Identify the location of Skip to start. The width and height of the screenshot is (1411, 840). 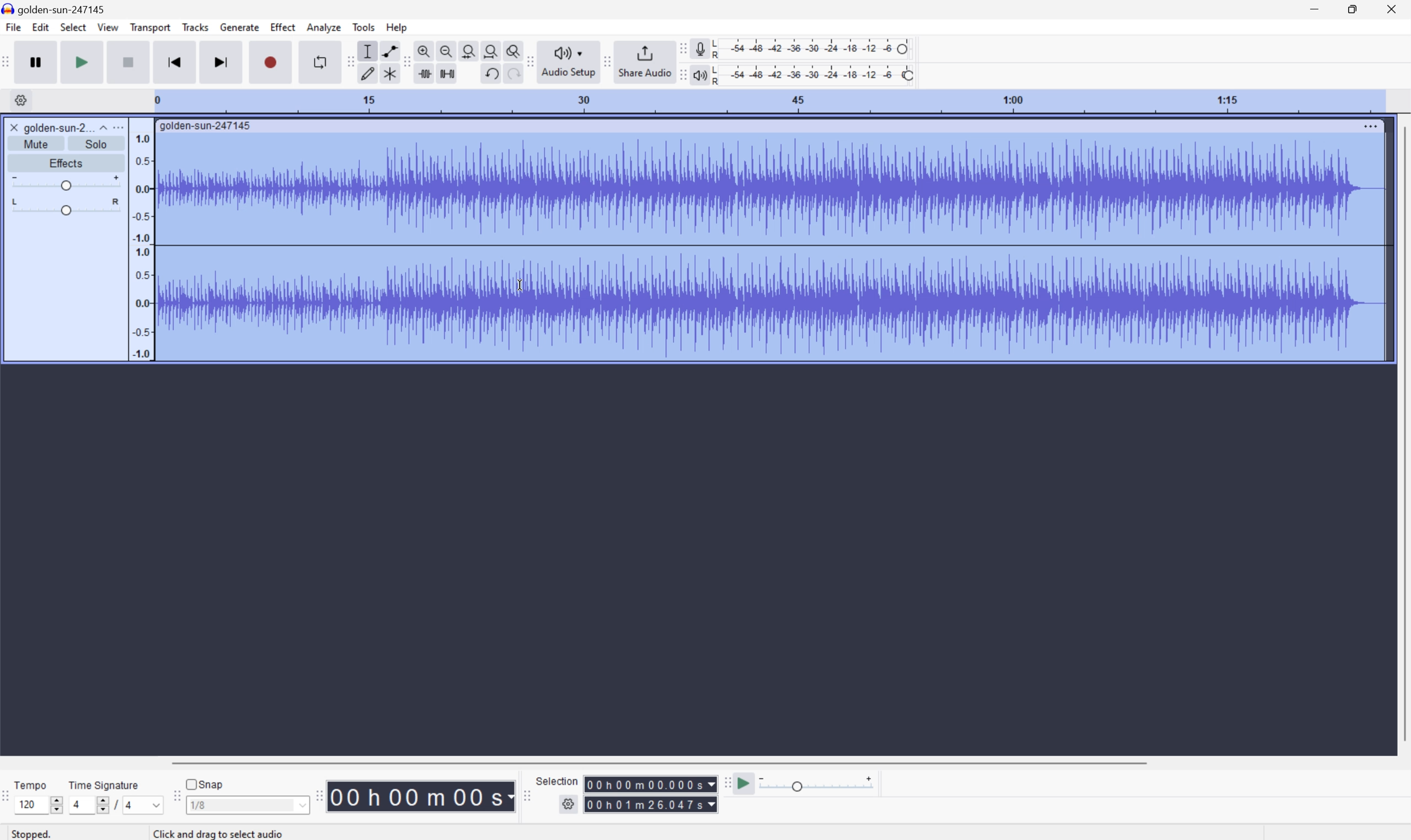
(175, 61).